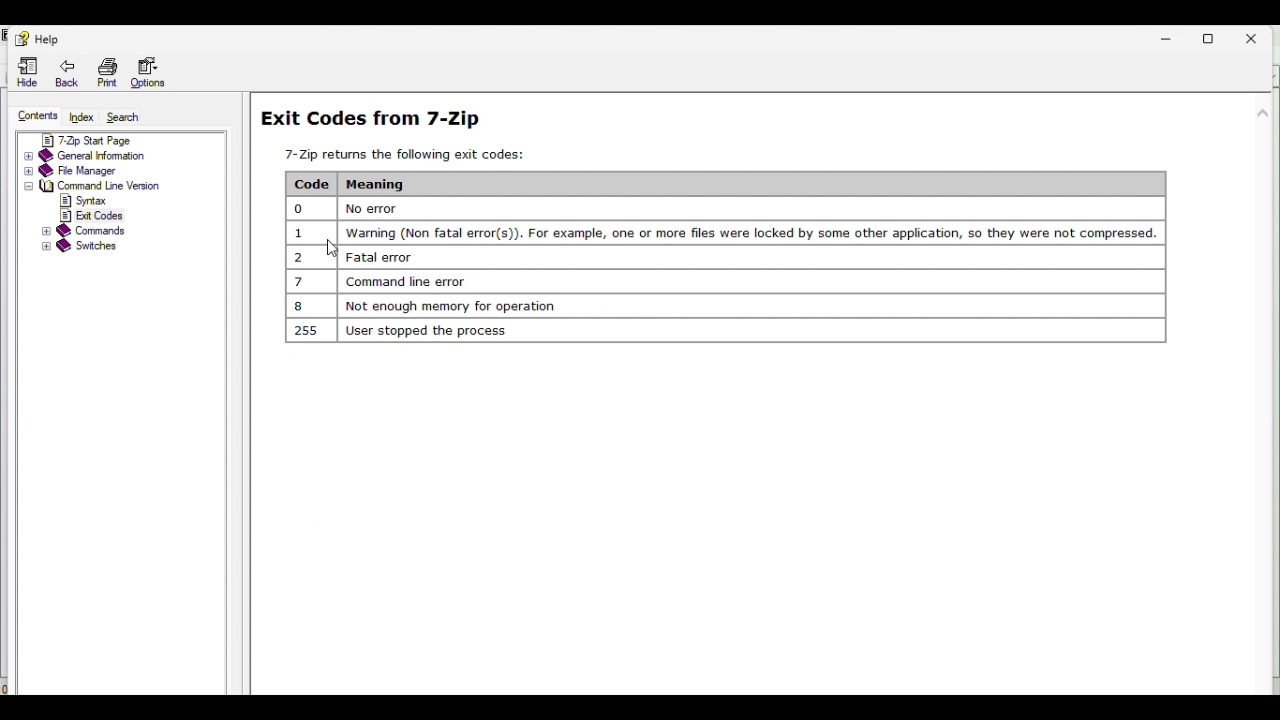 The height and width of the screenshot is (720, 1280). What do you see at coordinates (135, 118) in the screenshot?
I see `Search` at bounding box center [135, 118].